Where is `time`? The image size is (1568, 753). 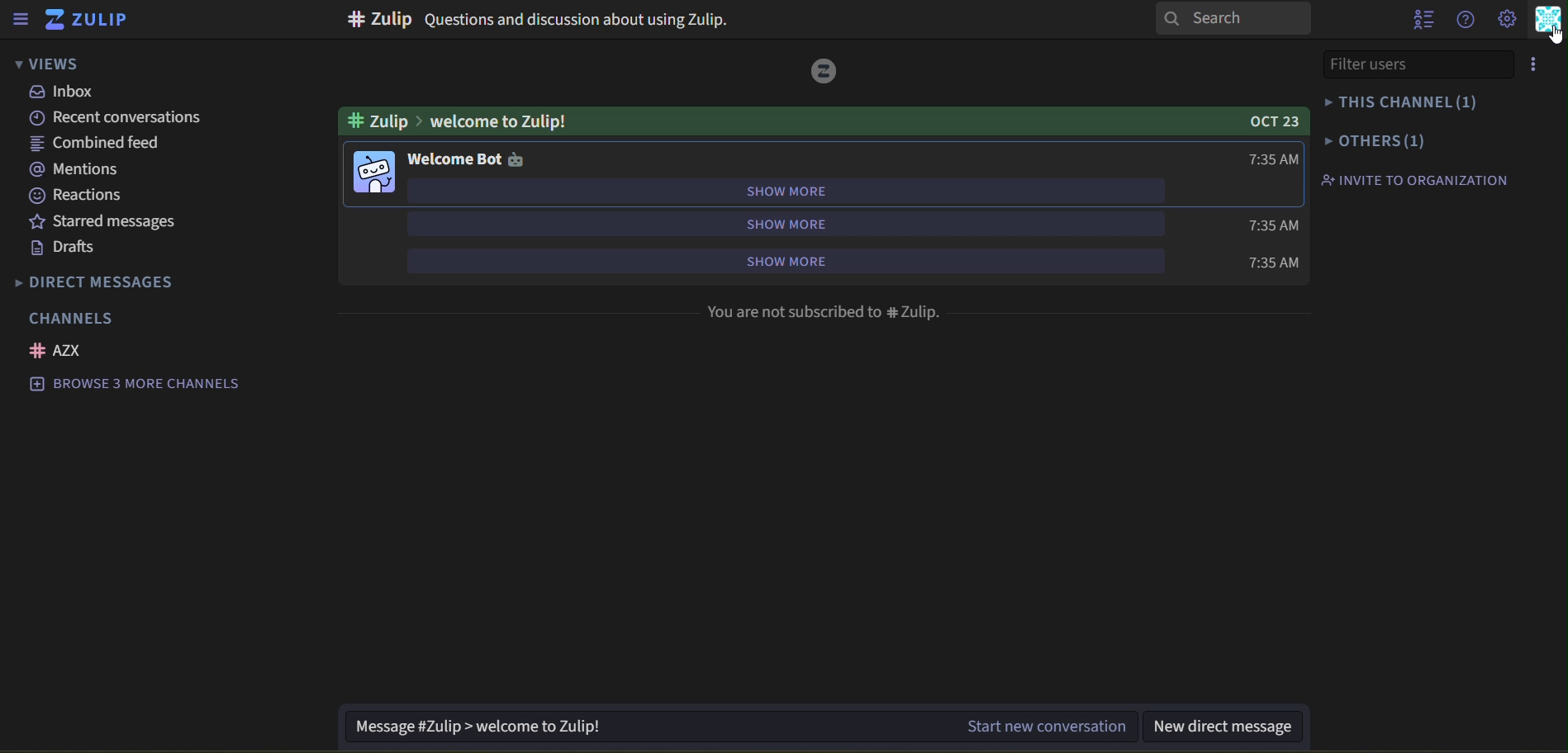 time is located at coordinates (1271, 262).